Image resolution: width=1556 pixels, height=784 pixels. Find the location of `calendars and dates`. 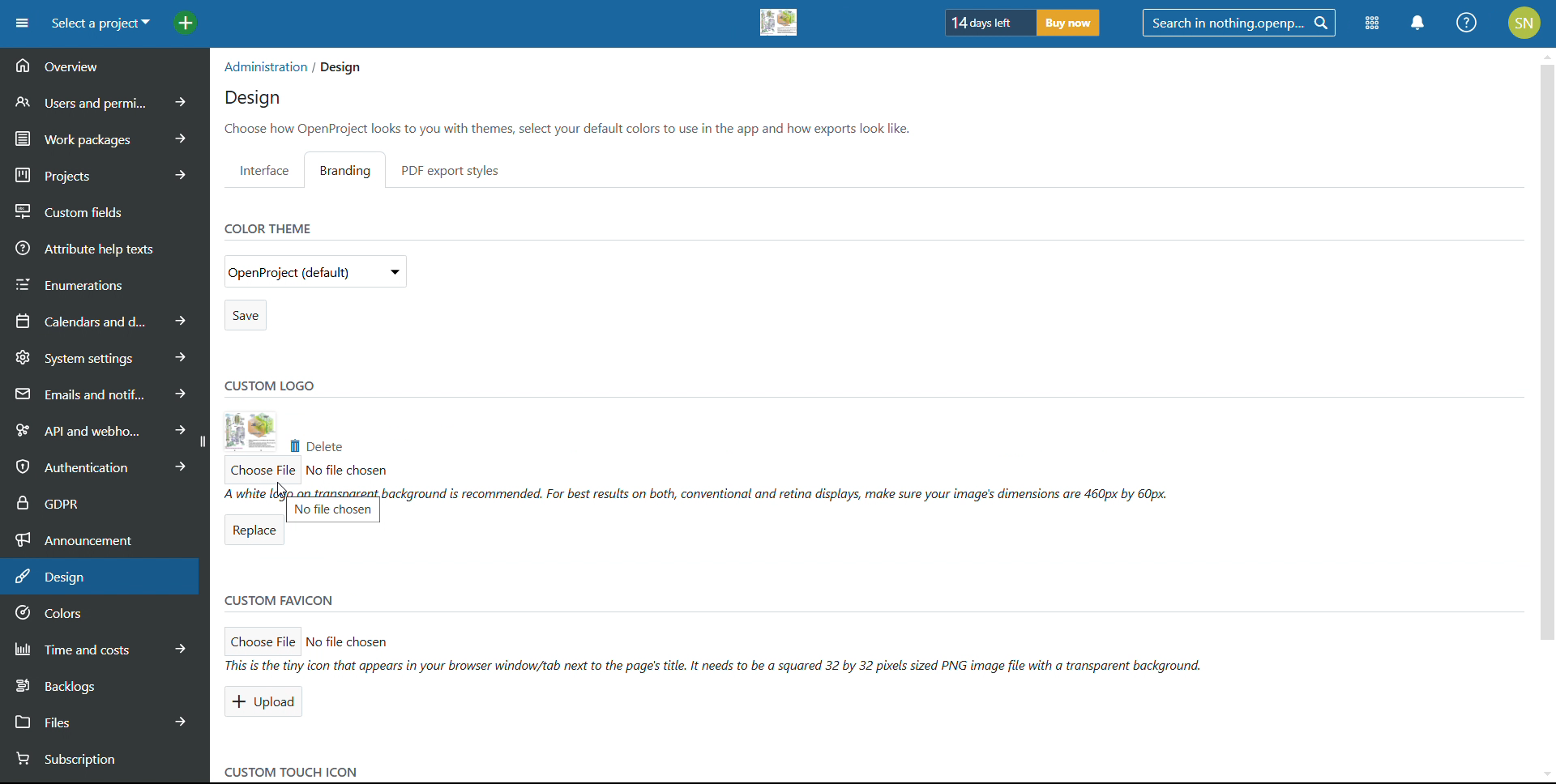

calendars and dates is located at coordinates (102, 320).